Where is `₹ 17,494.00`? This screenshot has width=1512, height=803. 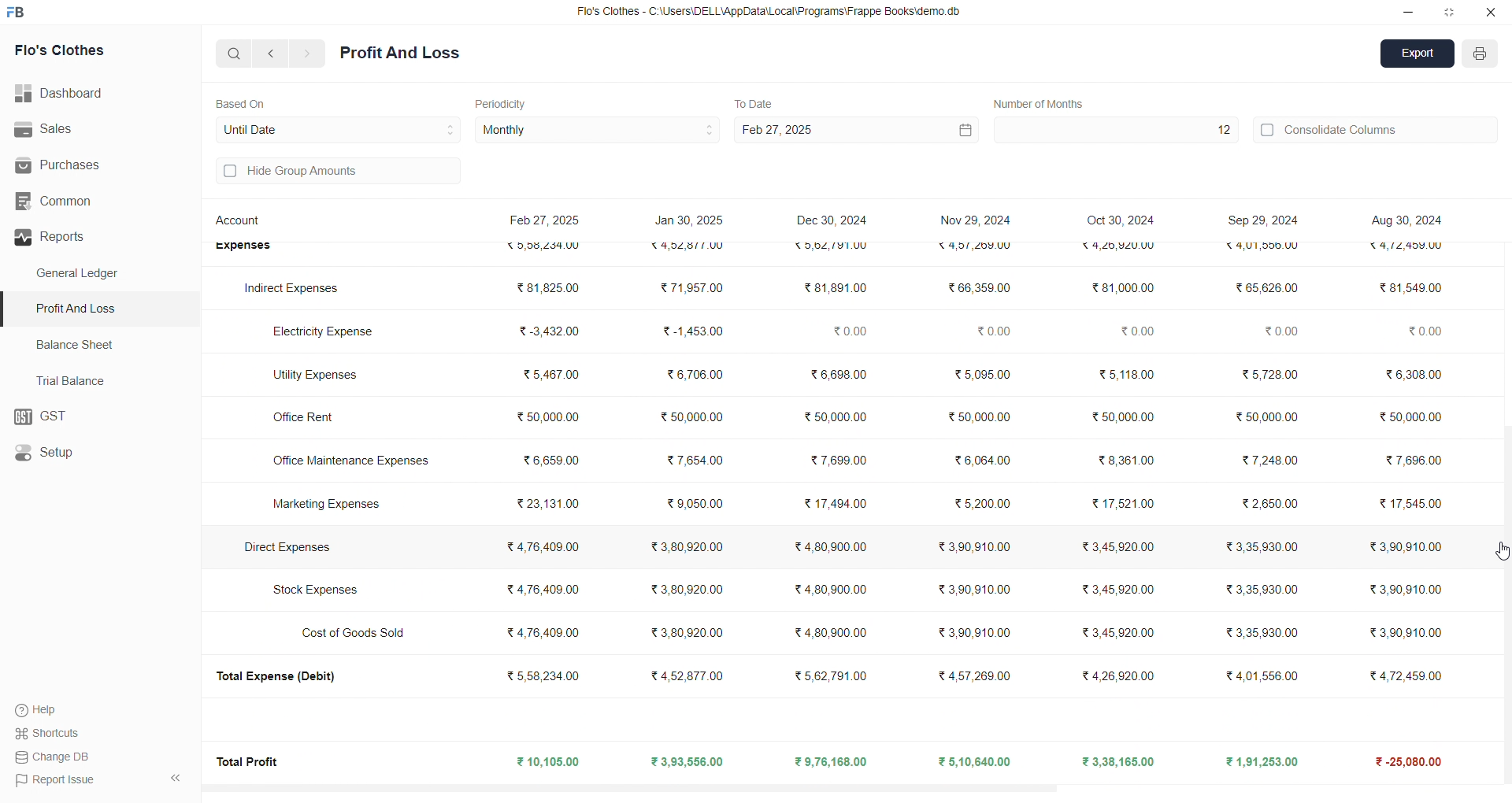 ₹ 17,494.00 is located at coordinates (833, 501).